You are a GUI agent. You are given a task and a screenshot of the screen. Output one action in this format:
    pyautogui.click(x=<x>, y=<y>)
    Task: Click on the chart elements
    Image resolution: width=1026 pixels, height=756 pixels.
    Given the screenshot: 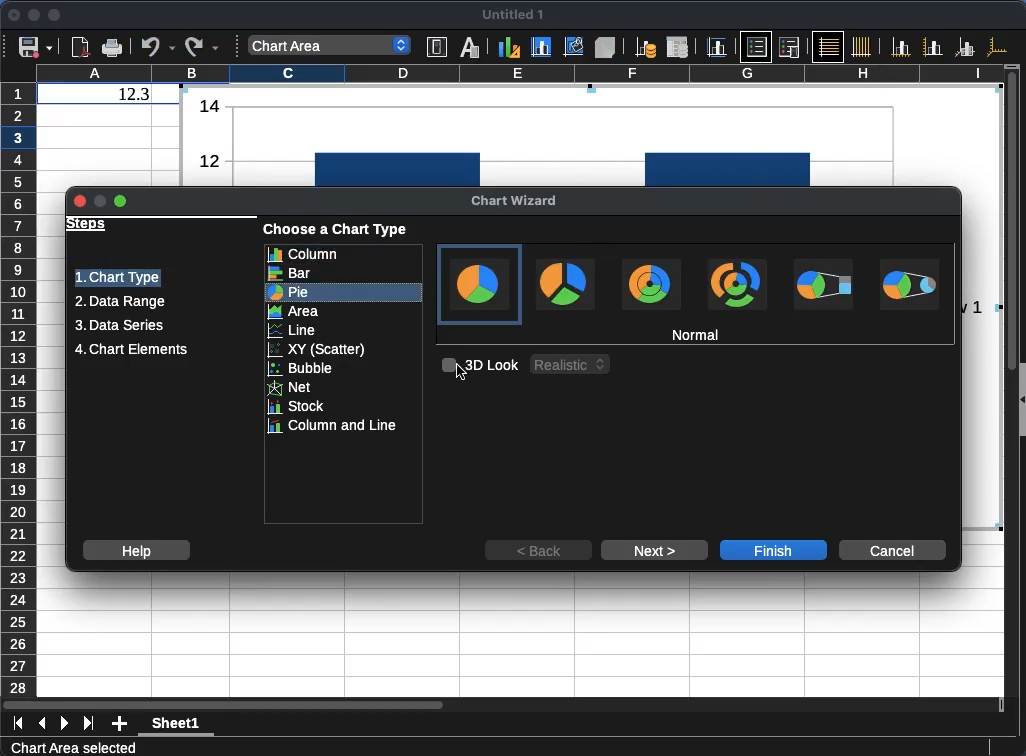 What is the action you would take?
    pyautogui.click(x=131, y=350)
    